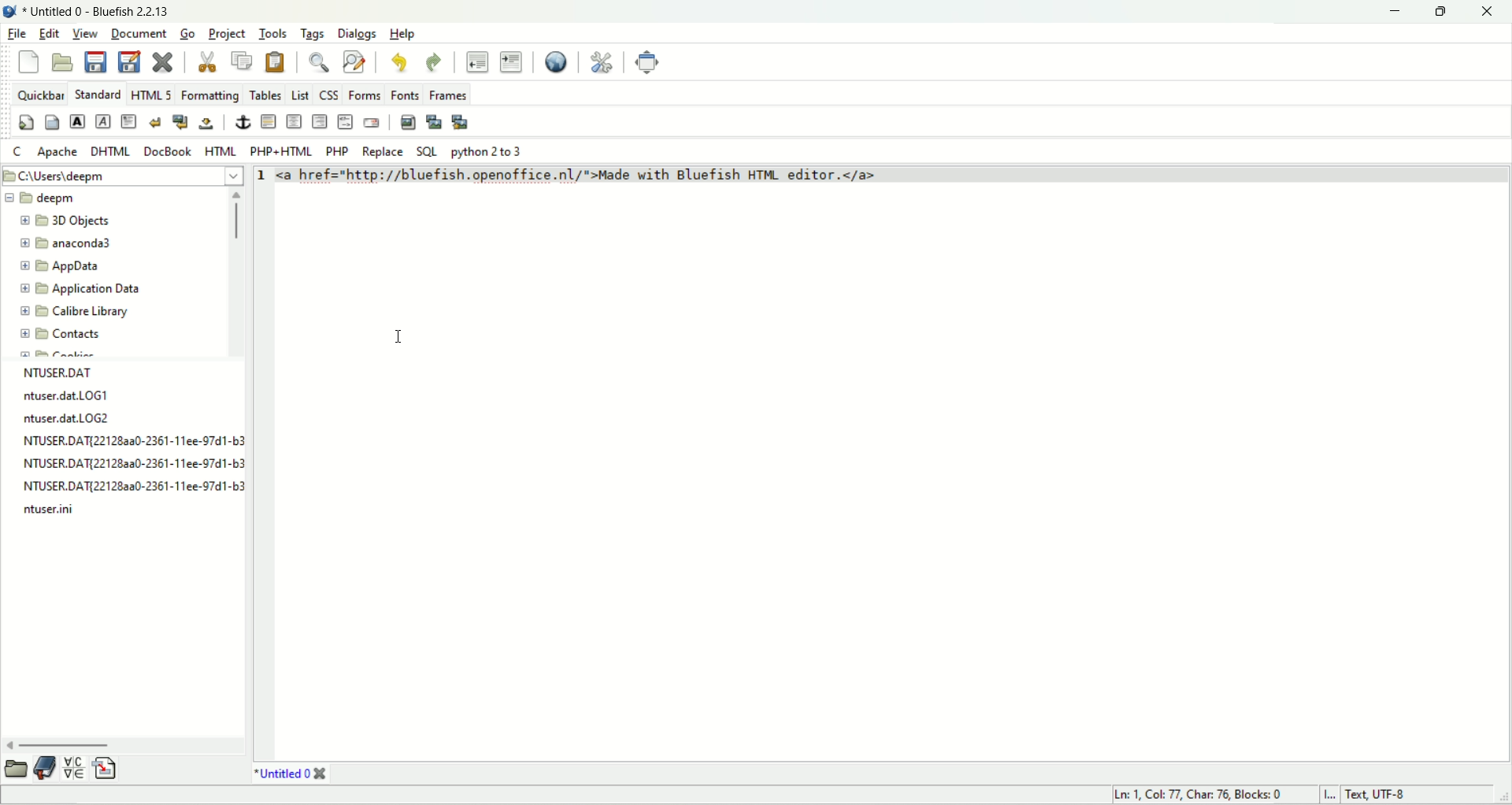 The width and height of the screenshot is (1512, 805). I want to click on python 2 to 3, so click(488, 150).